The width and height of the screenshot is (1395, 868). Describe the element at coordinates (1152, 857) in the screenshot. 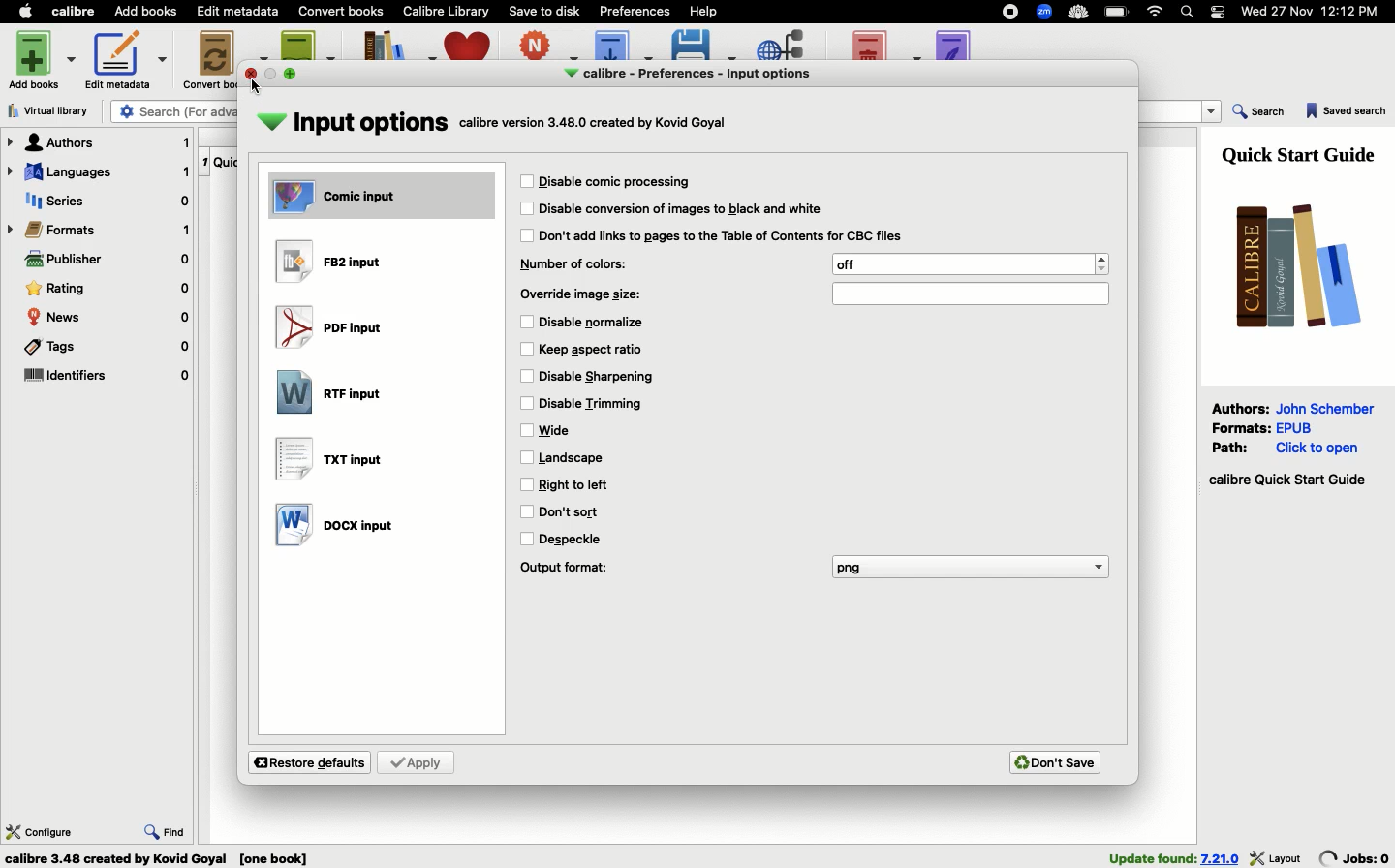

I see `found` at that location.